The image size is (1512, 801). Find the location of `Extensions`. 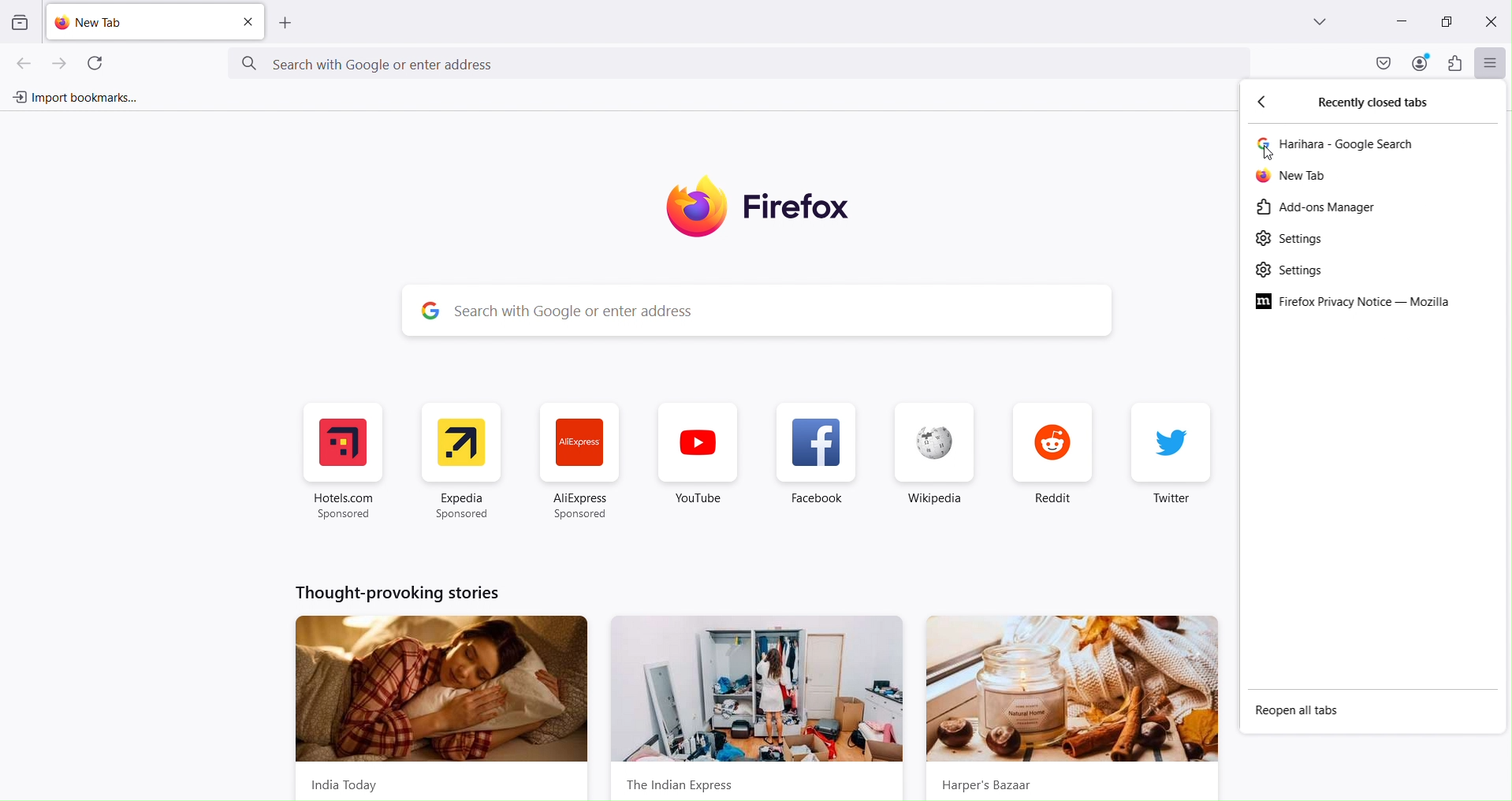

Extensions is located at coordinates (1456, 63).